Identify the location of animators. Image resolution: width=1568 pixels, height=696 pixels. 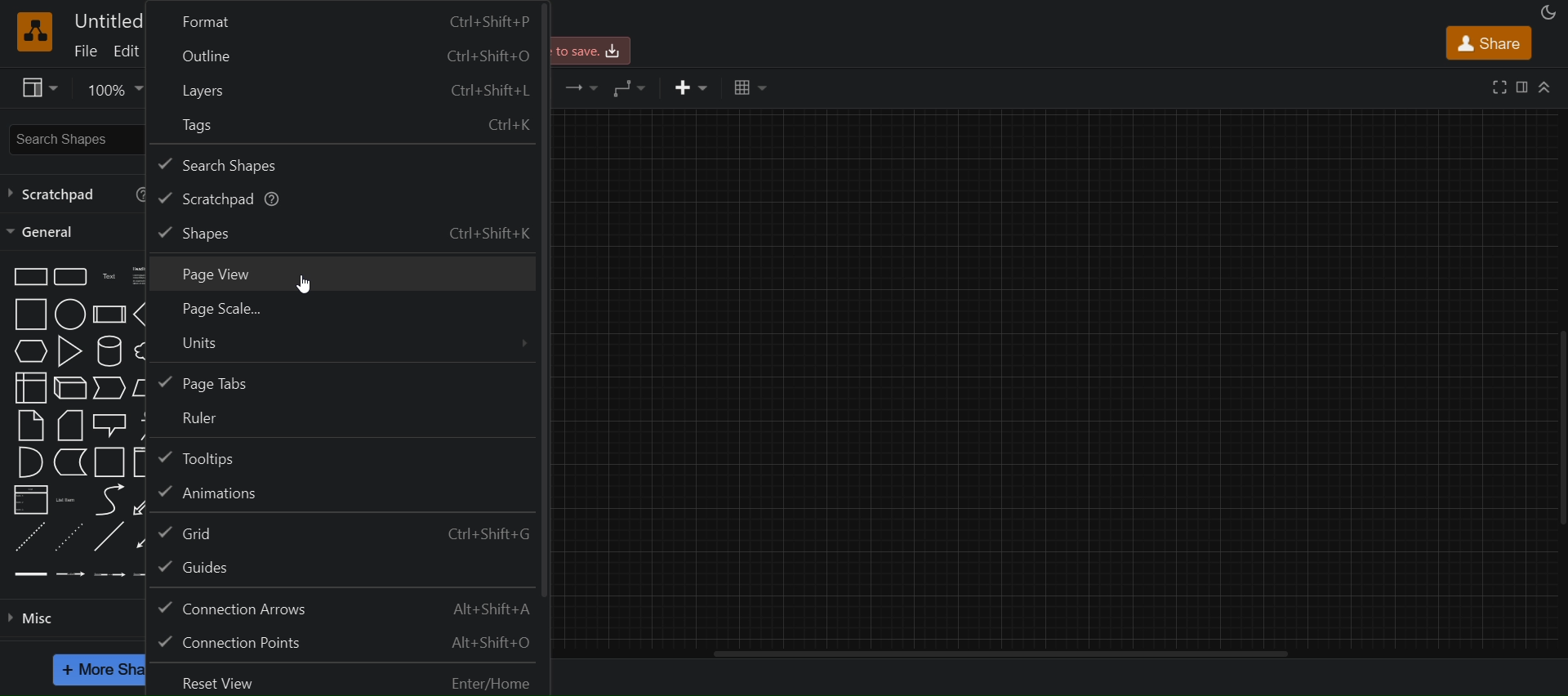
(345, 495).